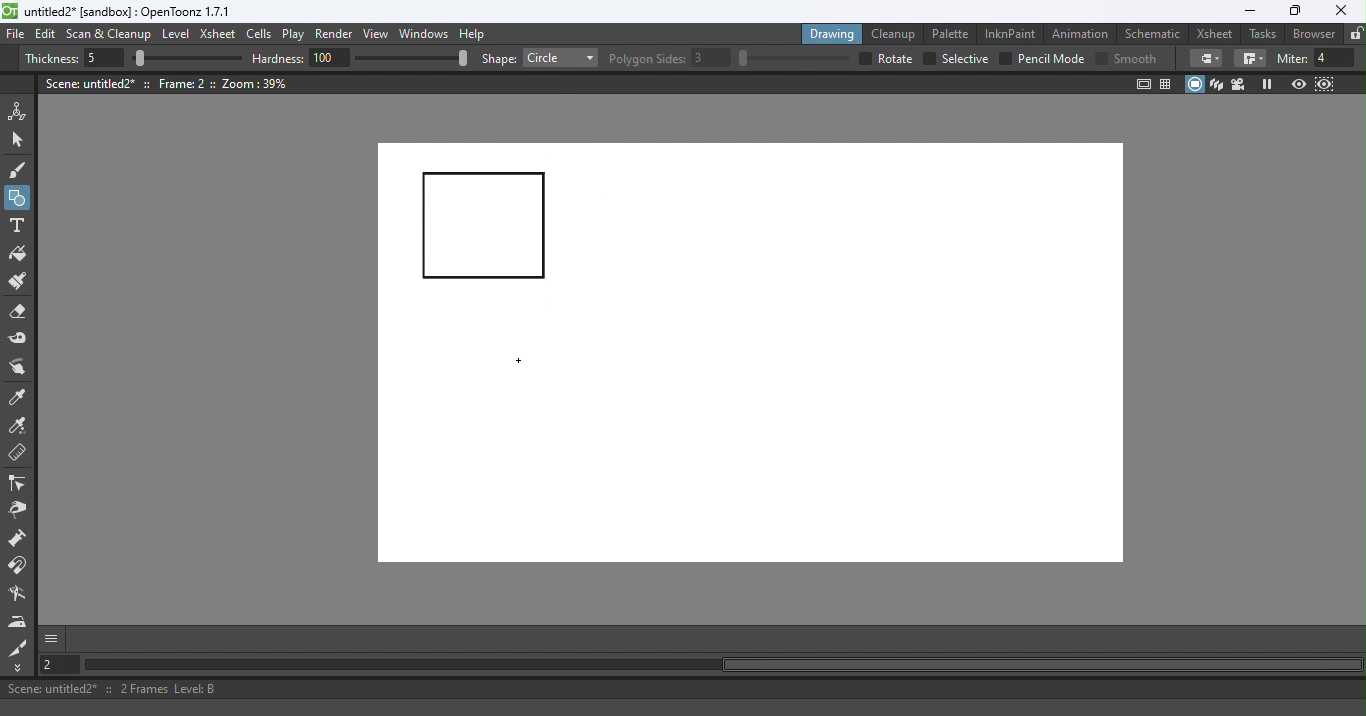 This screenshot has width=1366, height=716. Describe the element at coordinates (21, 340) in the screenshot. I see `Tape tool` at that location.